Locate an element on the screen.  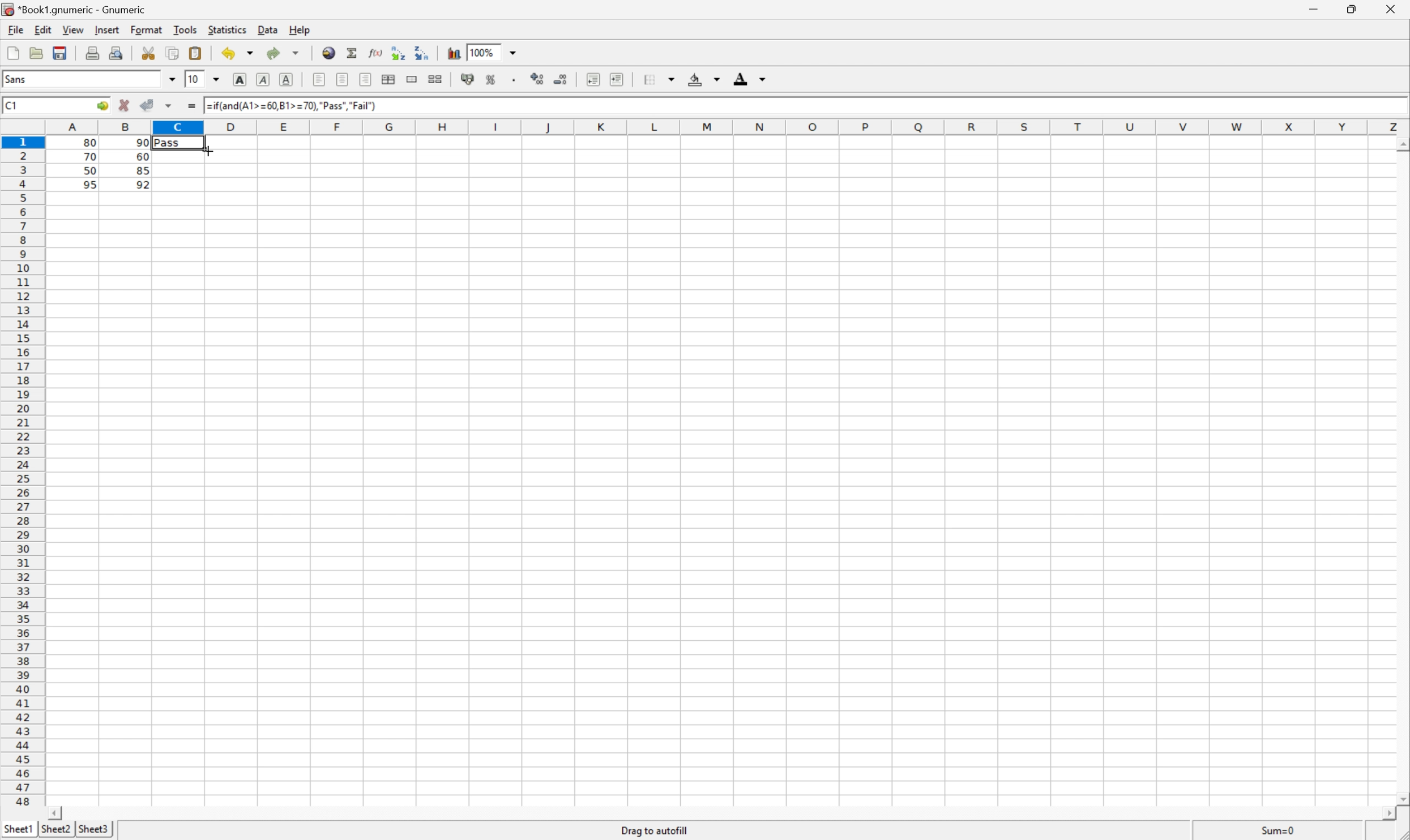
Background is located at coordinates (704, 79).